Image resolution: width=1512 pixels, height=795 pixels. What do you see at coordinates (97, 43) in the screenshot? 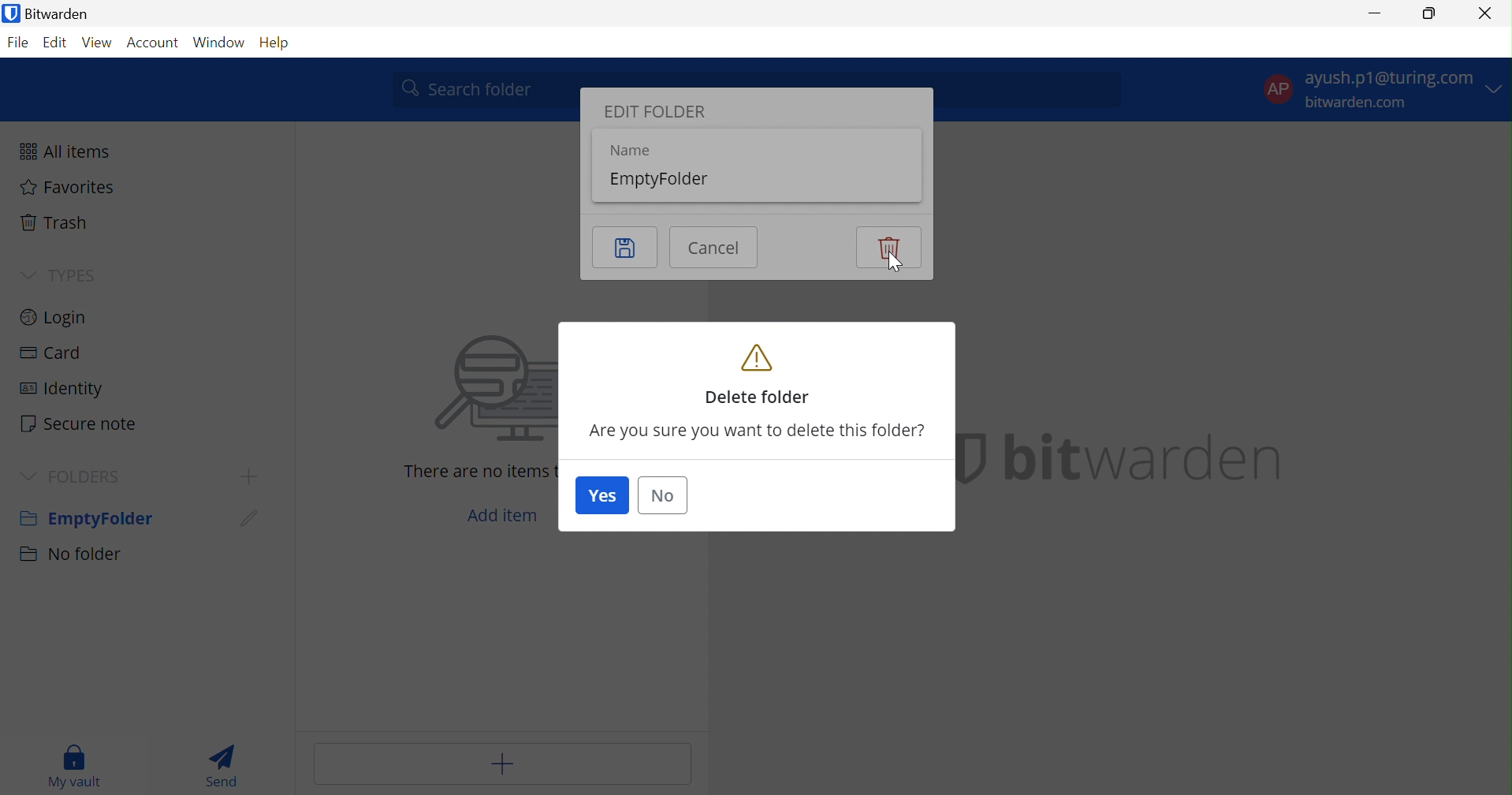
I see `View` at bounding box center [97, 43].